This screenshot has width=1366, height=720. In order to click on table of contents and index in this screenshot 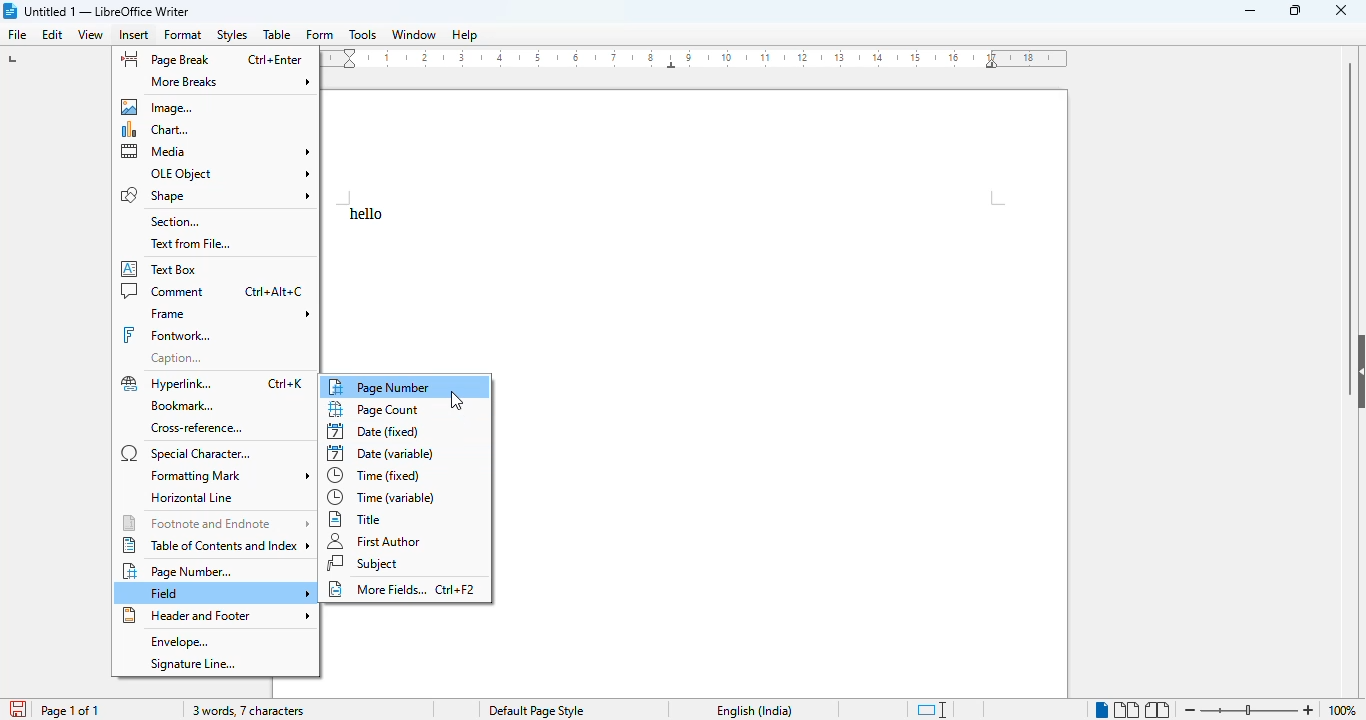, I will do `click(219, 545)`.